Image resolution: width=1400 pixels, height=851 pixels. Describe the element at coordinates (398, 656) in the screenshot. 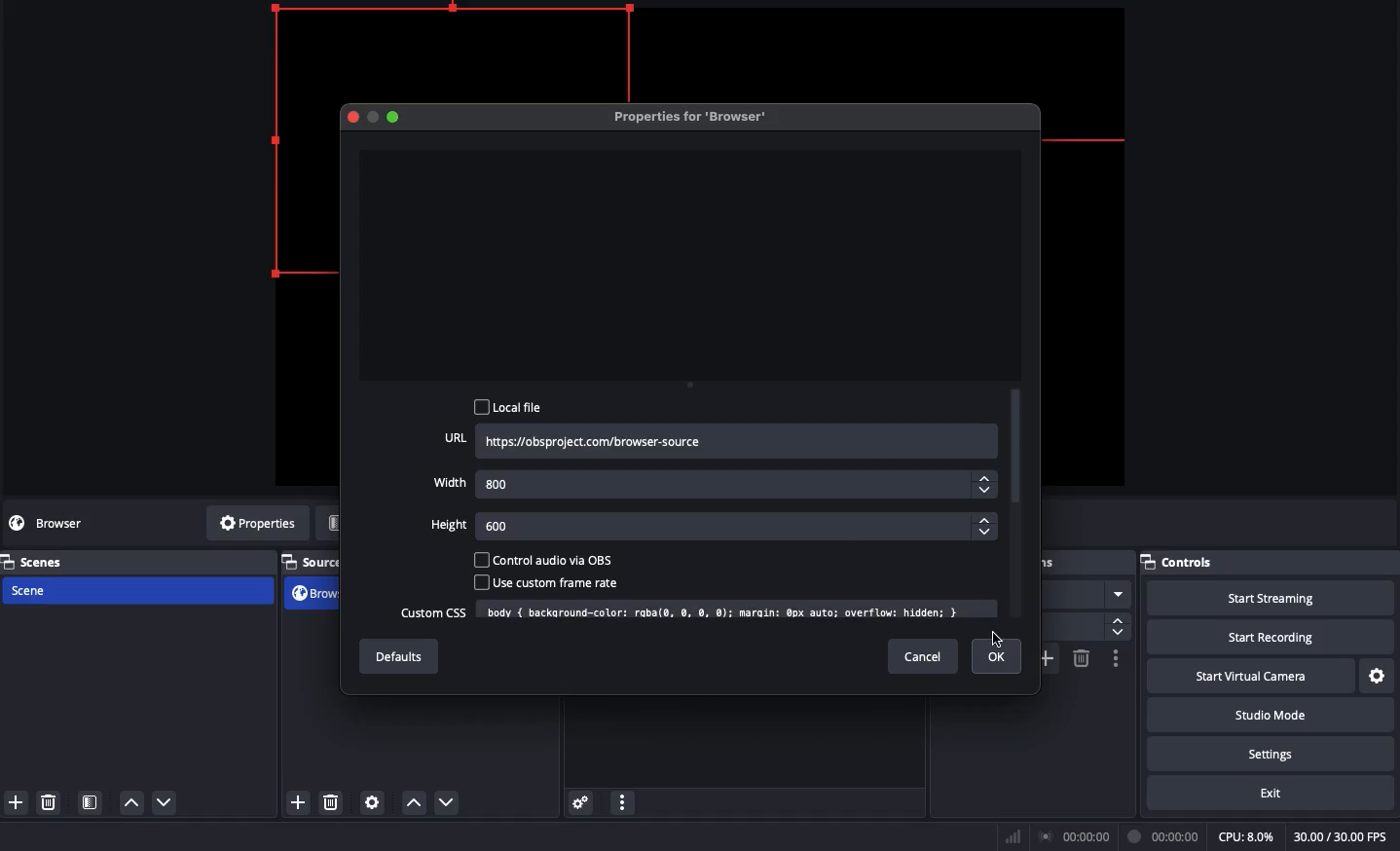

I see `Defaults` at that location.